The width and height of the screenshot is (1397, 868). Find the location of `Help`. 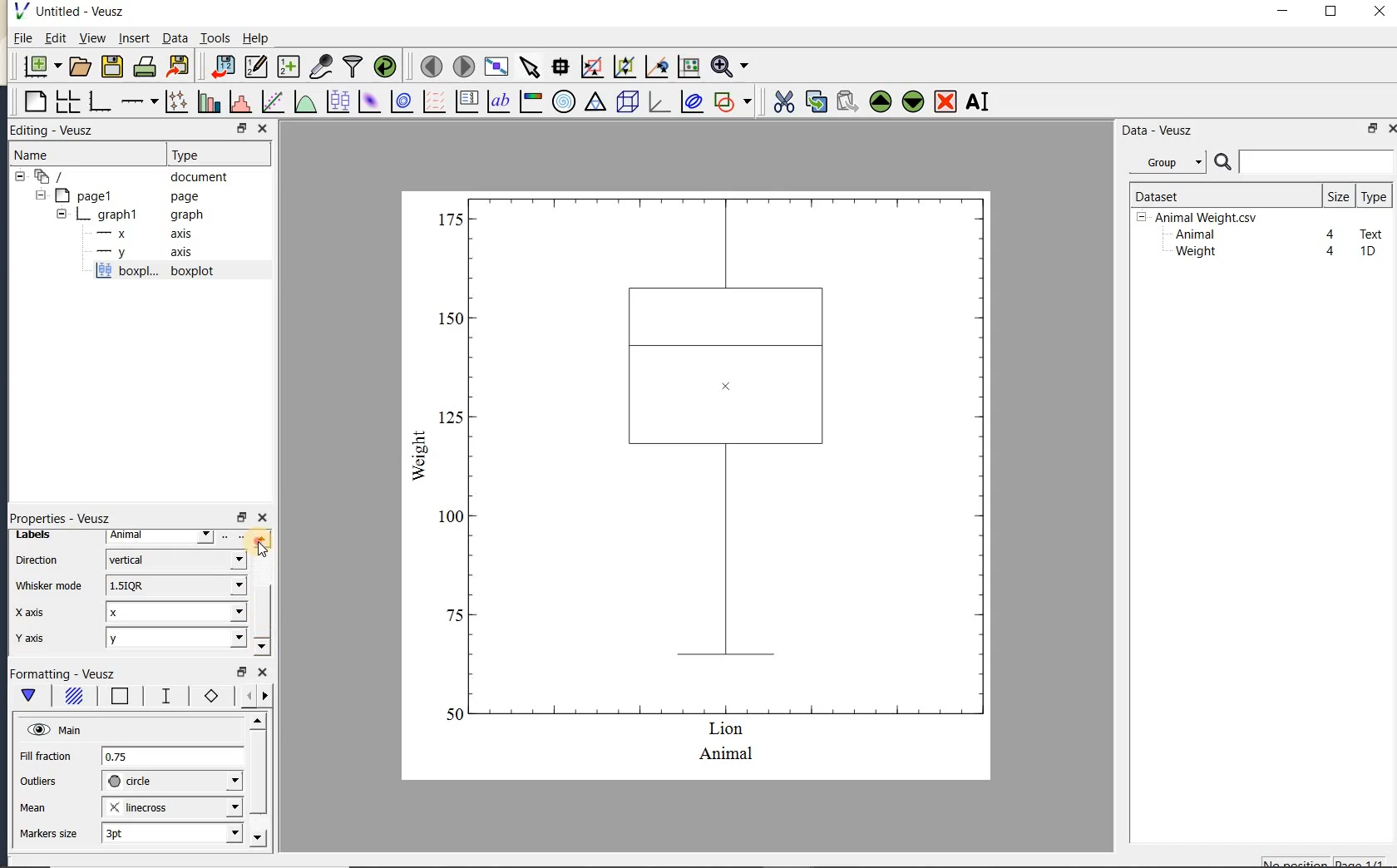

Help is located at coordinates (255, 38).